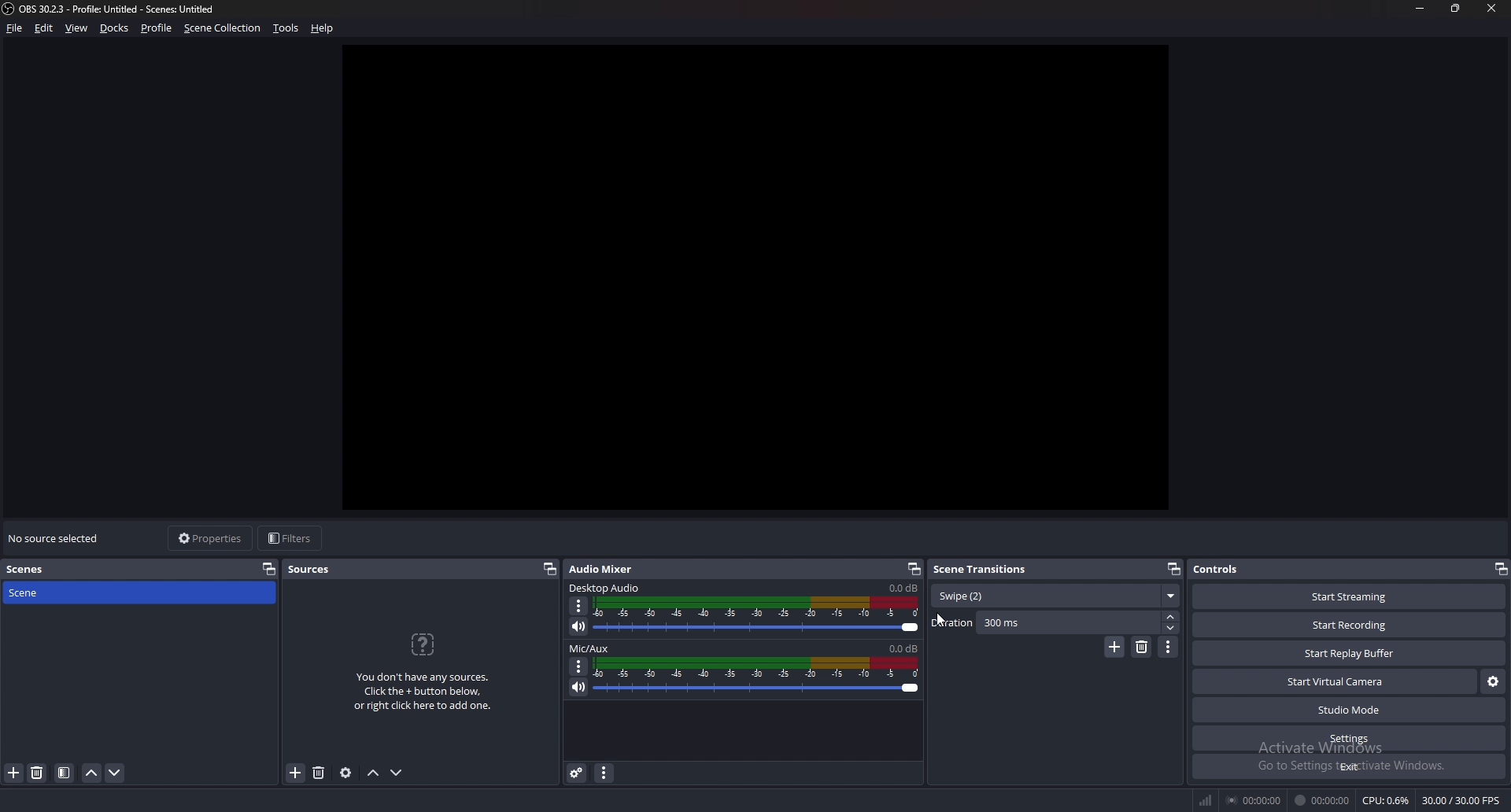 The image size is (1511, 812). I want to click on desktop audio, so click(605, 587).